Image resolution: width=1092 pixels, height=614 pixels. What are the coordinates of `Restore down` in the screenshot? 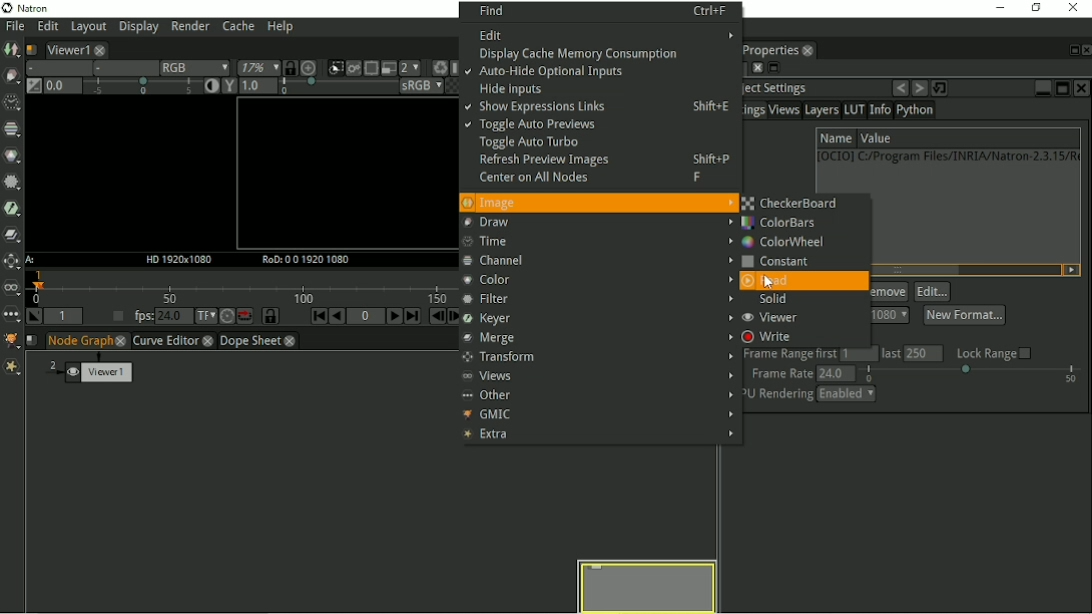 It's located at (1033, 8).